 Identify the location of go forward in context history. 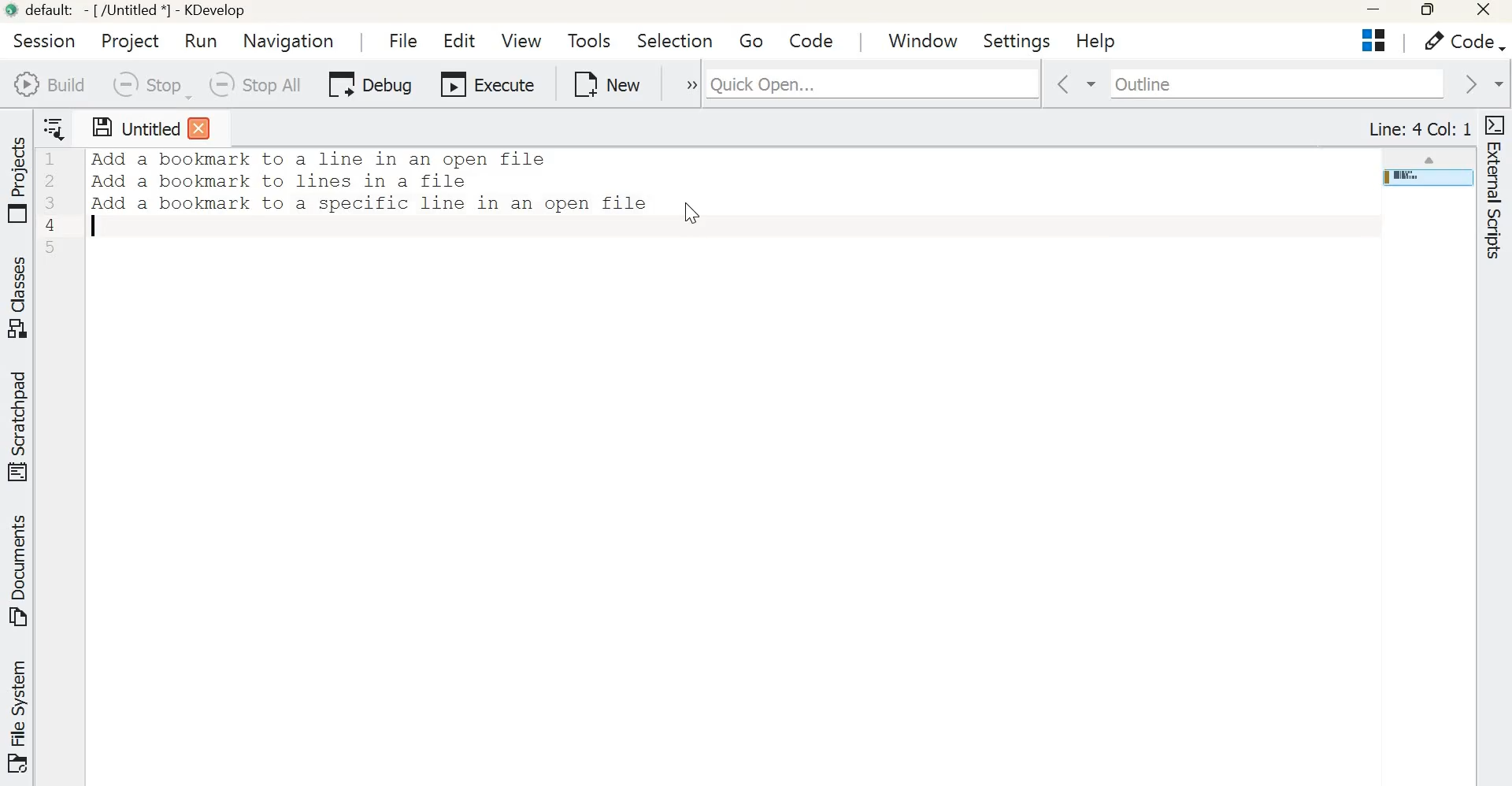
(1484, 83).